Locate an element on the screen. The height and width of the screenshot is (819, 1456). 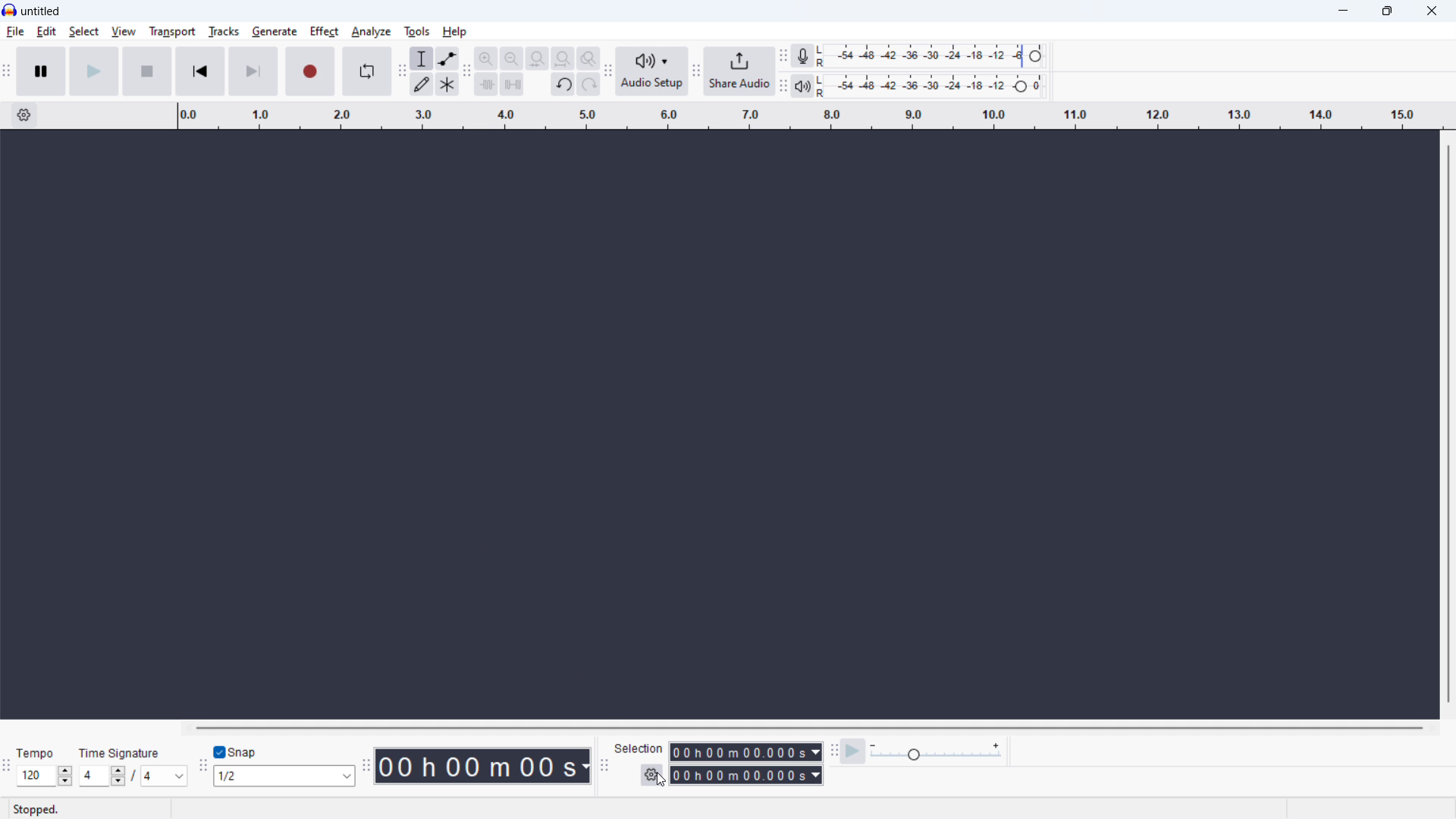
envelop tool is located at coordinates (449, 58).